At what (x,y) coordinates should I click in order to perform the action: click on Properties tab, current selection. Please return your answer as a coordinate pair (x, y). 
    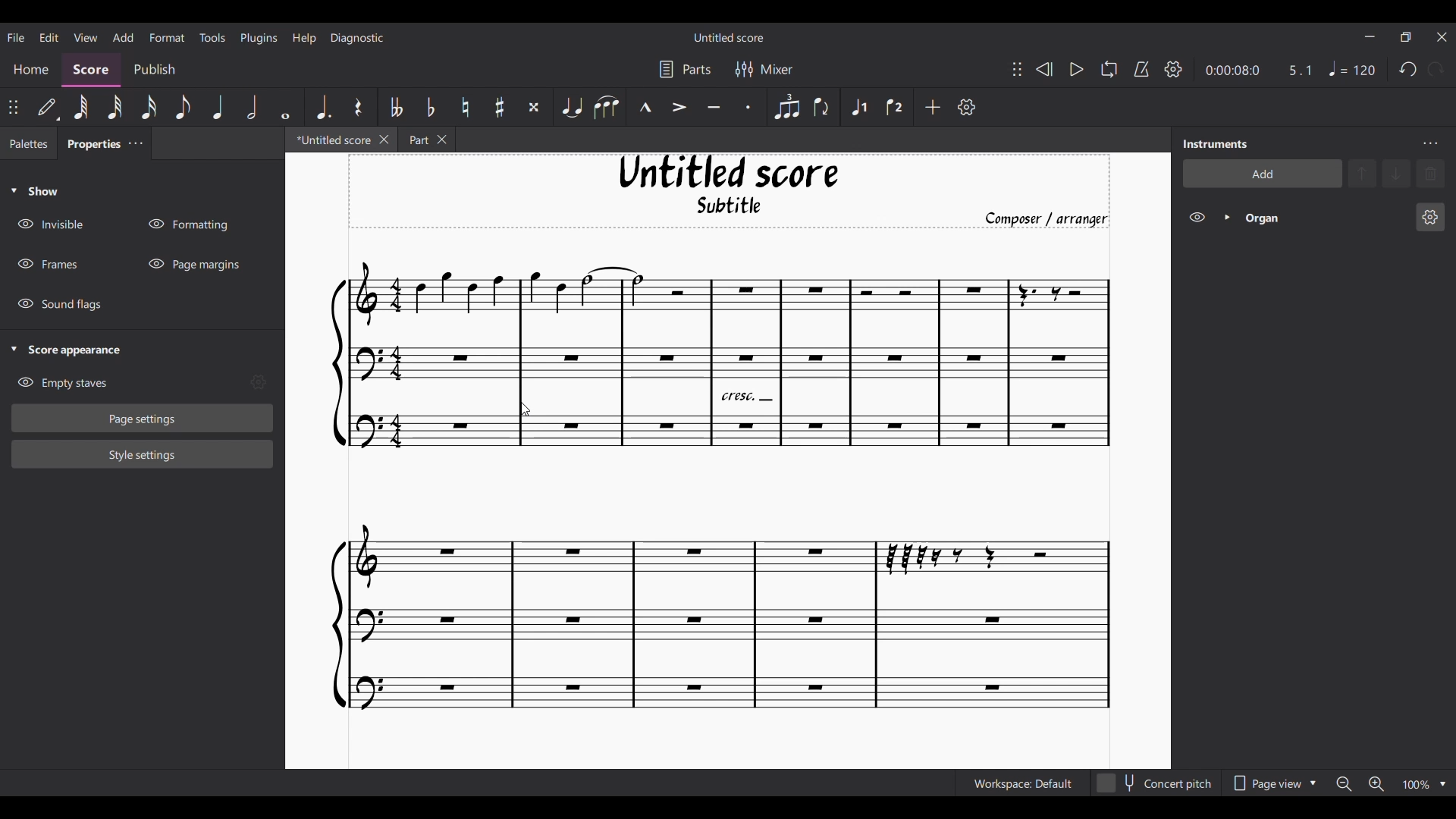
    Looking at the image, I should click on (90, 146).